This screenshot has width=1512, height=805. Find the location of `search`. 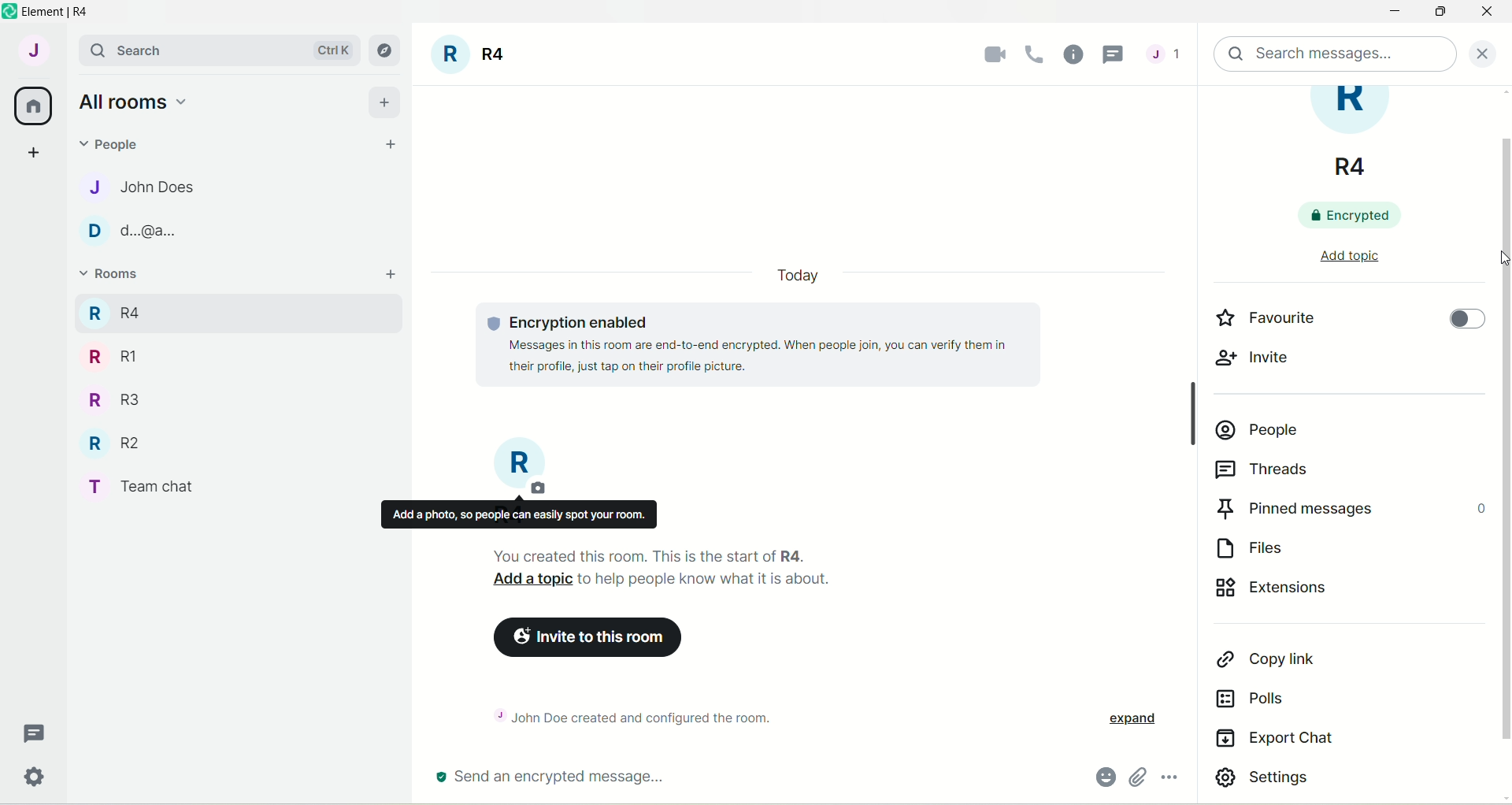

search is located at coordinates (141, 50).